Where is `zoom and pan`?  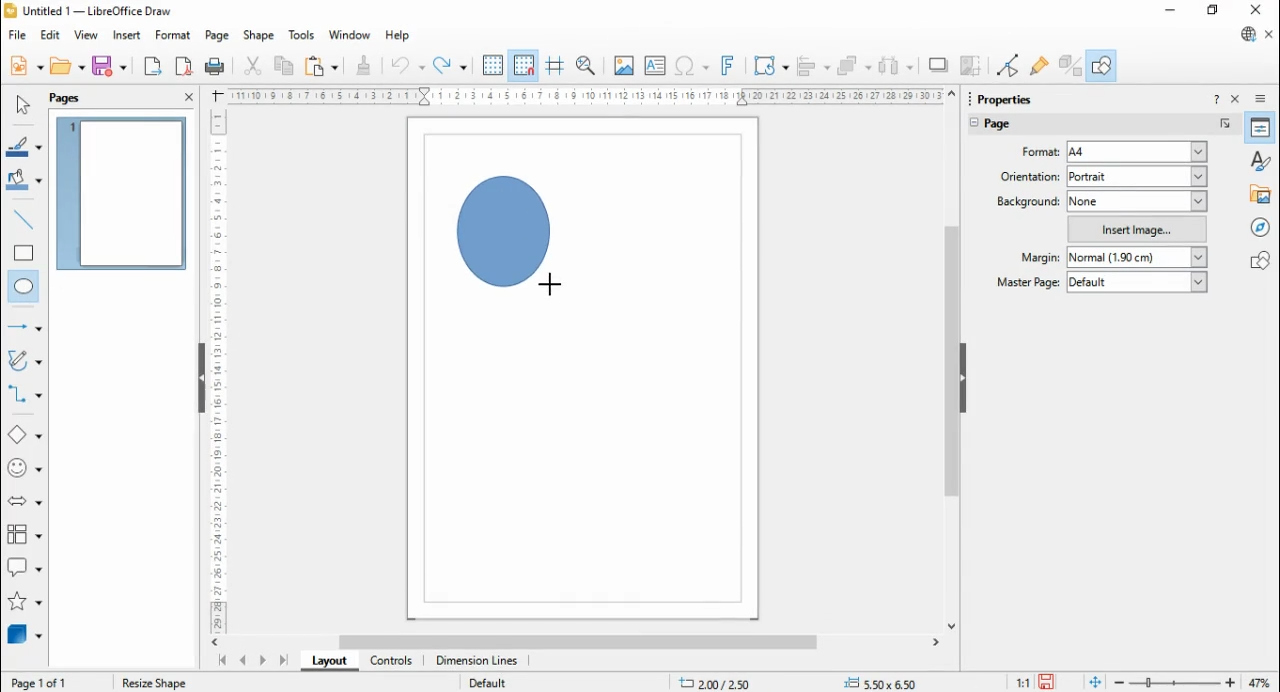
zoom and pan is located at coordinates (586, 66).